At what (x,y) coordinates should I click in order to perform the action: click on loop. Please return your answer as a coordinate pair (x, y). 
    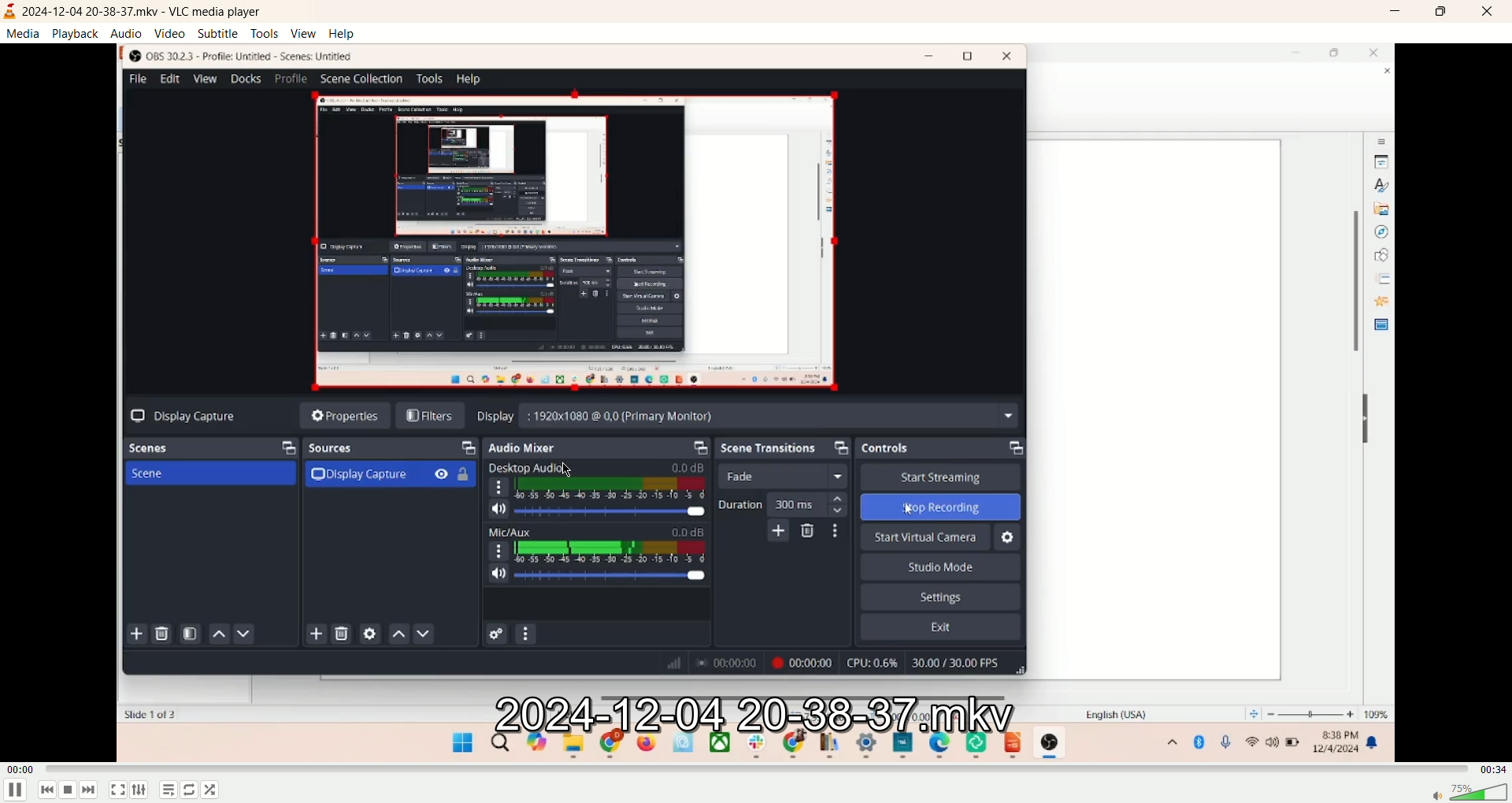
    Looking at the image, I should click on (210, 790).